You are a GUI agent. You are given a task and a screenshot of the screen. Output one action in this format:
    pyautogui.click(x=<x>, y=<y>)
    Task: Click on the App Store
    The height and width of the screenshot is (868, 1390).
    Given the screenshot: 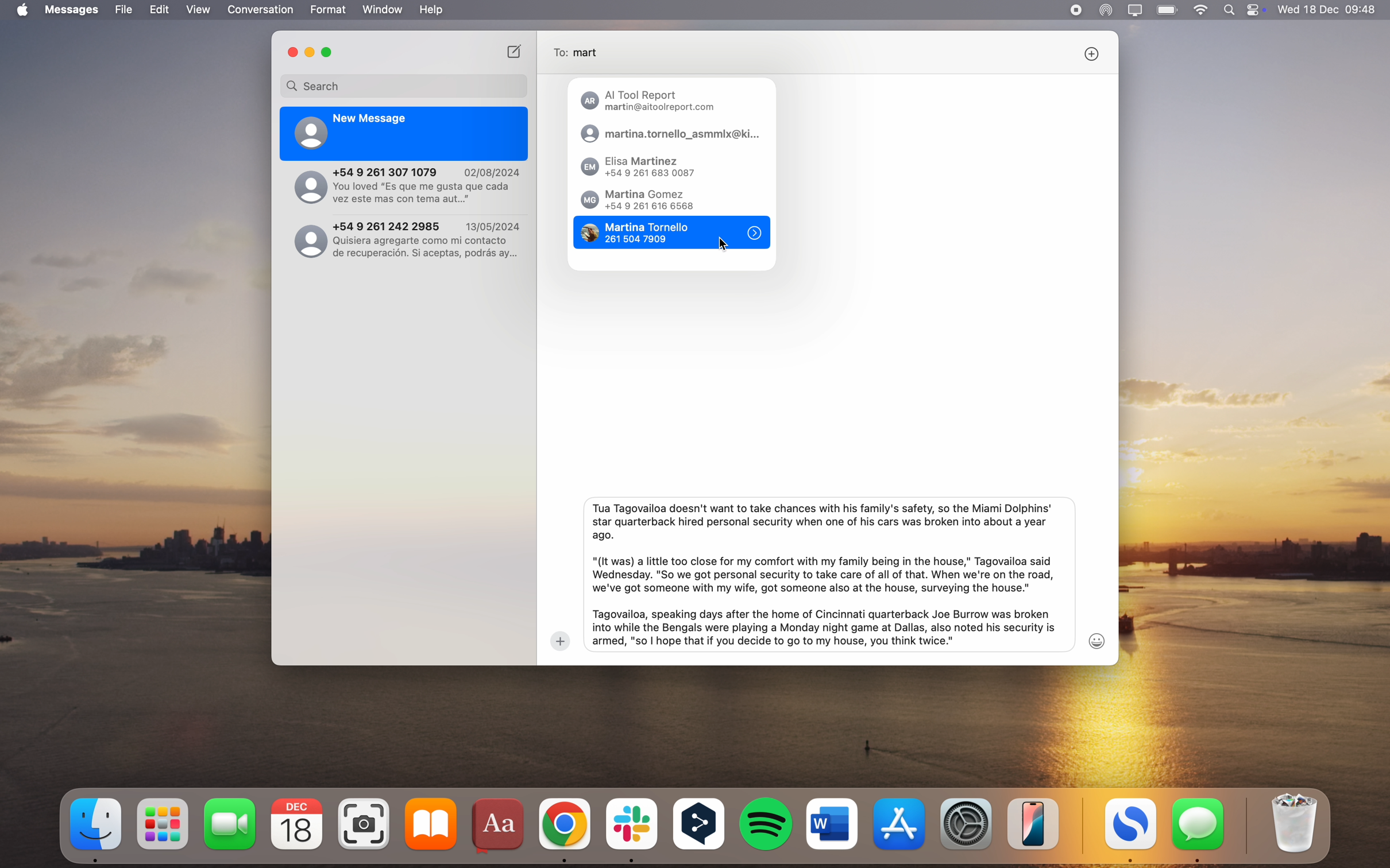 What is the action you would take?
    pyautogui.click(x=902, y=823)
    